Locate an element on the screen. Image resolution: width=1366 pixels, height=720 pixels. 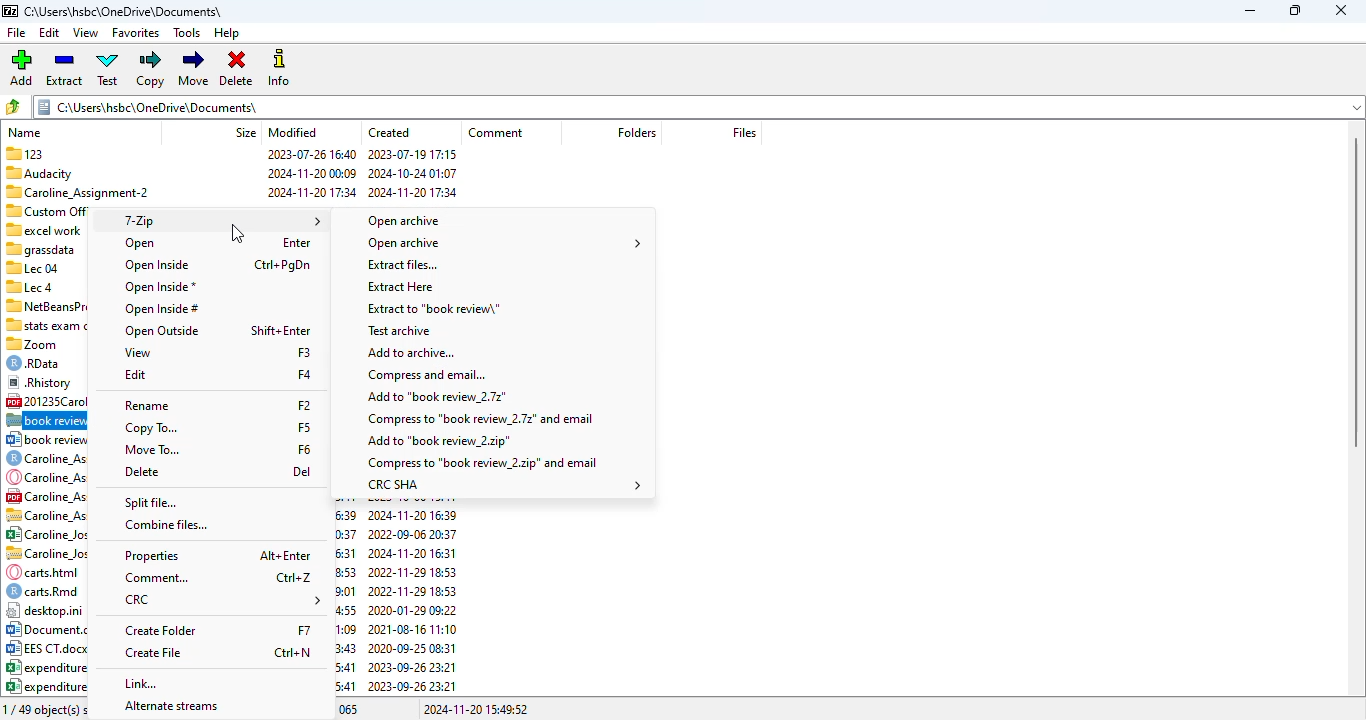
vertical scroll bar is located at coordinates (1356, 292).